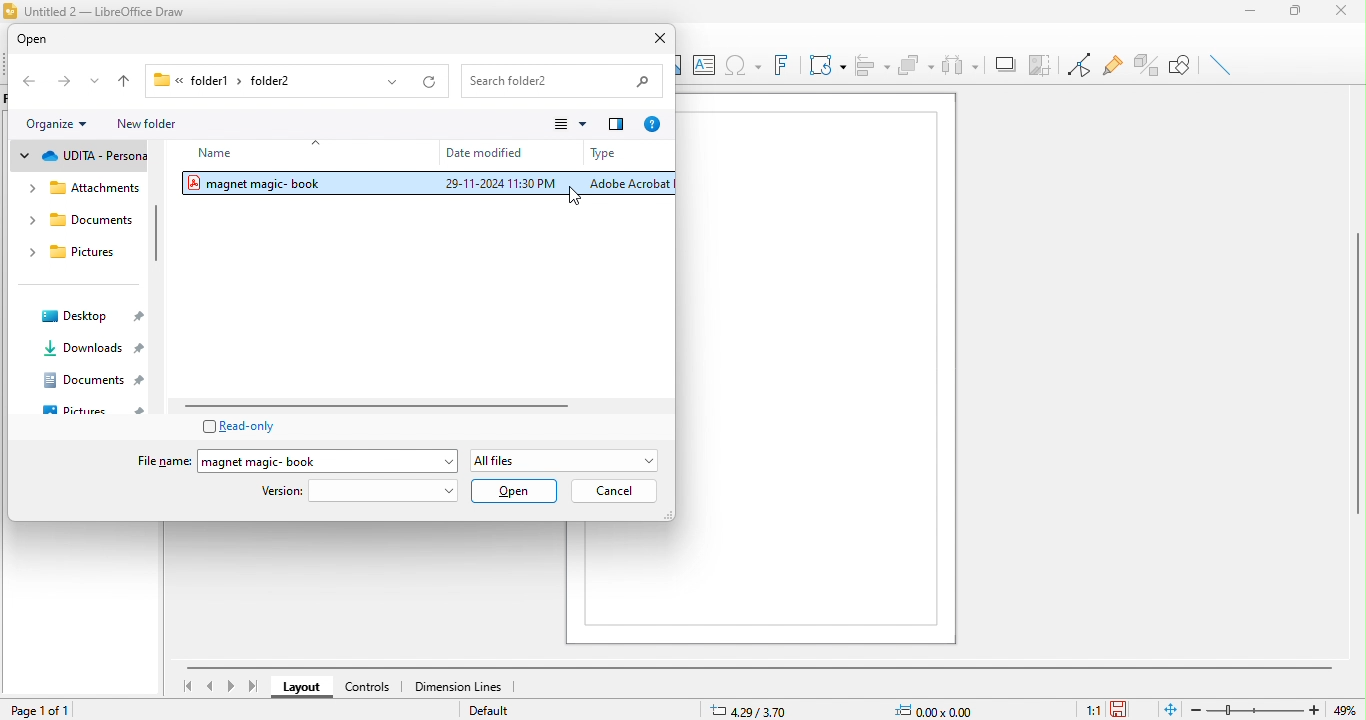  I want to click on page 1 of 1, so click(54, 712).